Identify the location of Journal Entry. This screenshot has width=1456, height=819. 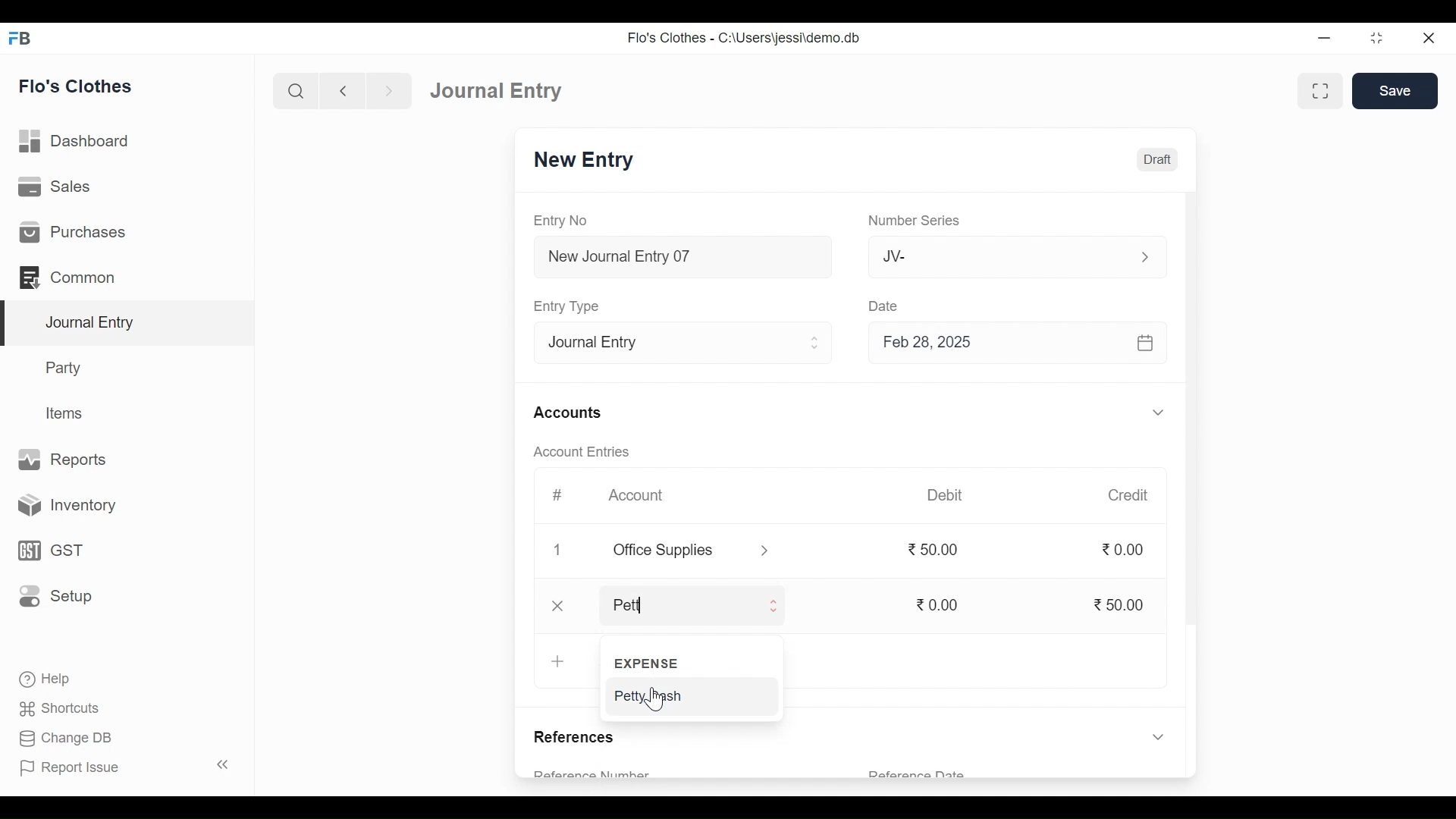
(130, 324).